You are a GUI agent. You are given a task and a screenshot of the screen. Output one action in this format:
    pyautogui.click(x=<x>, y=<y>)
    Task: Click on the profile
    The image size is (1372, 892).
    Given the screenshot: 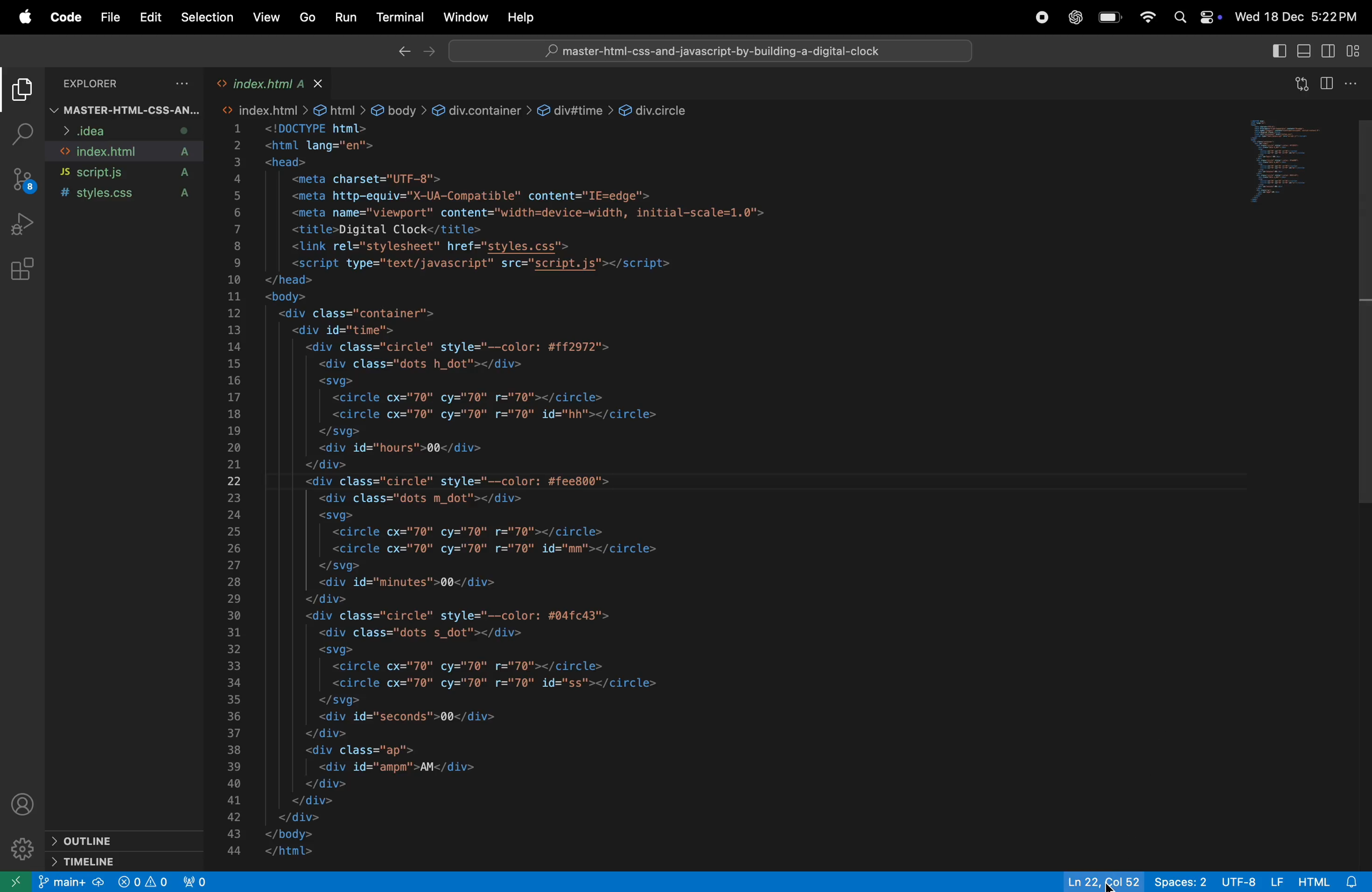 What is the action you would take?
    pyautogui.click(x=27, y=804)
    